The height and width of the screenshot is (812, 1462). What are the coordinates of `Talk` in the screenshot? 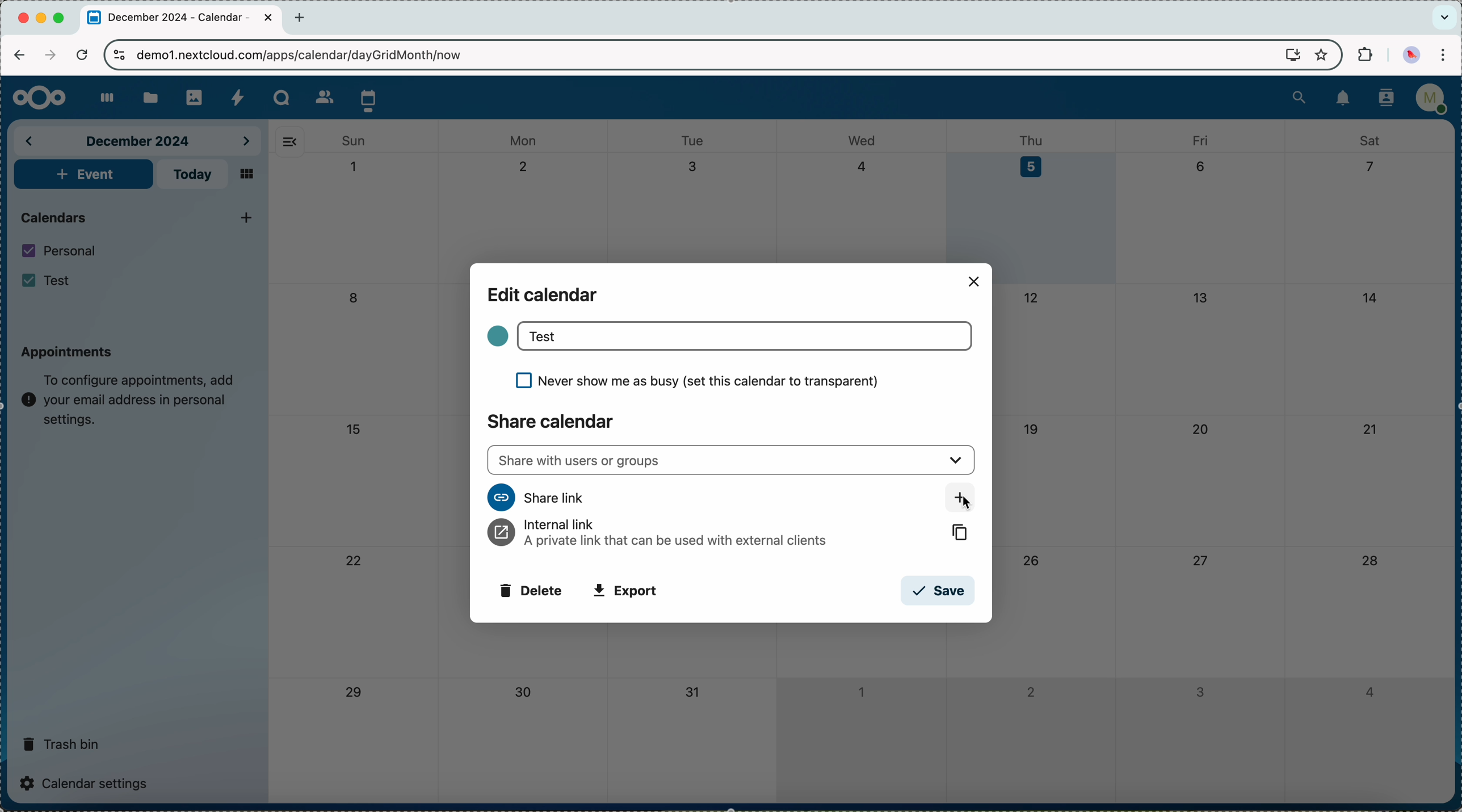 It's located at (282, 98).